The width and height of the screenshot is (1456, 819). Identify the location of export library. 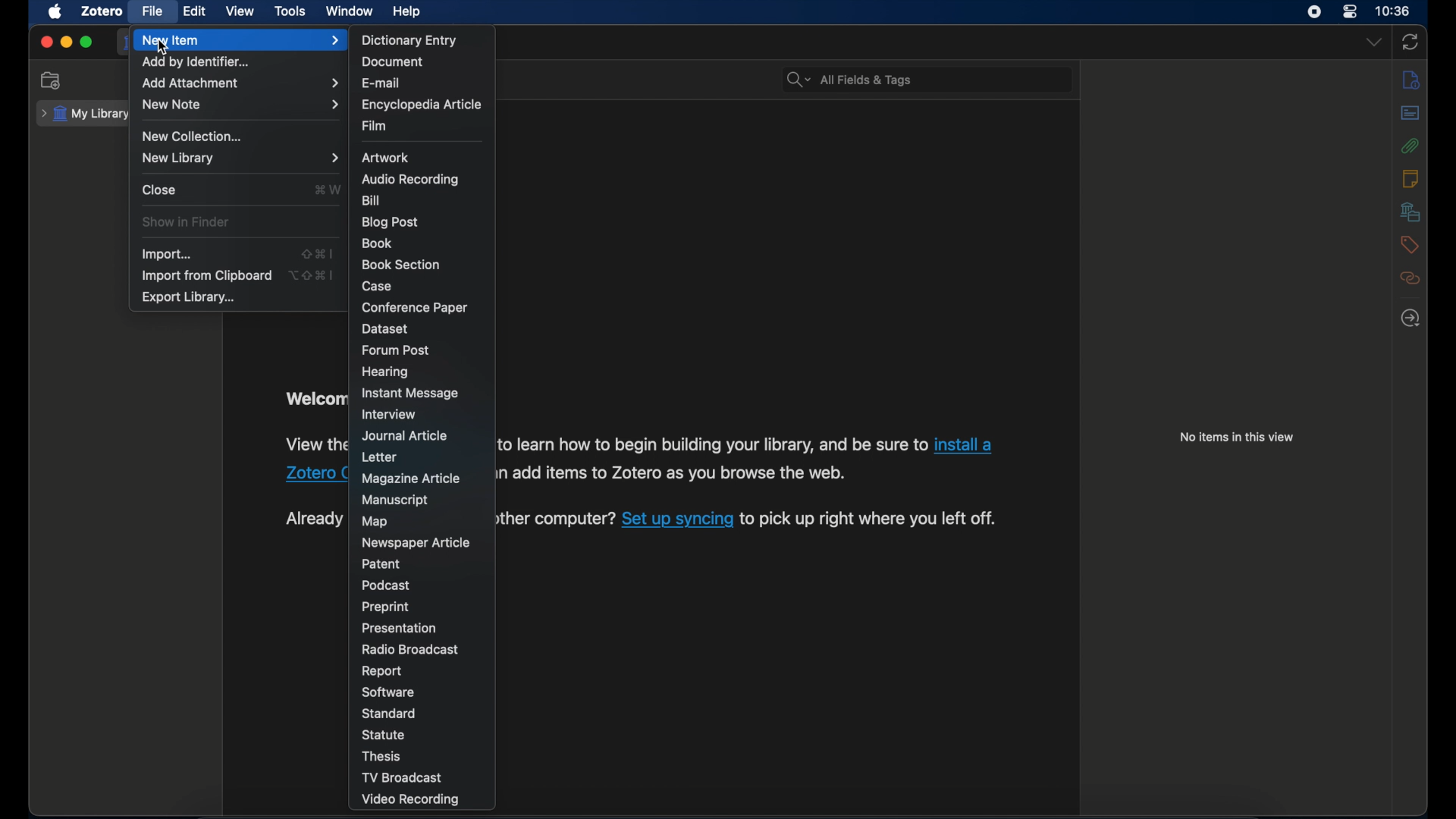
(190, 298).